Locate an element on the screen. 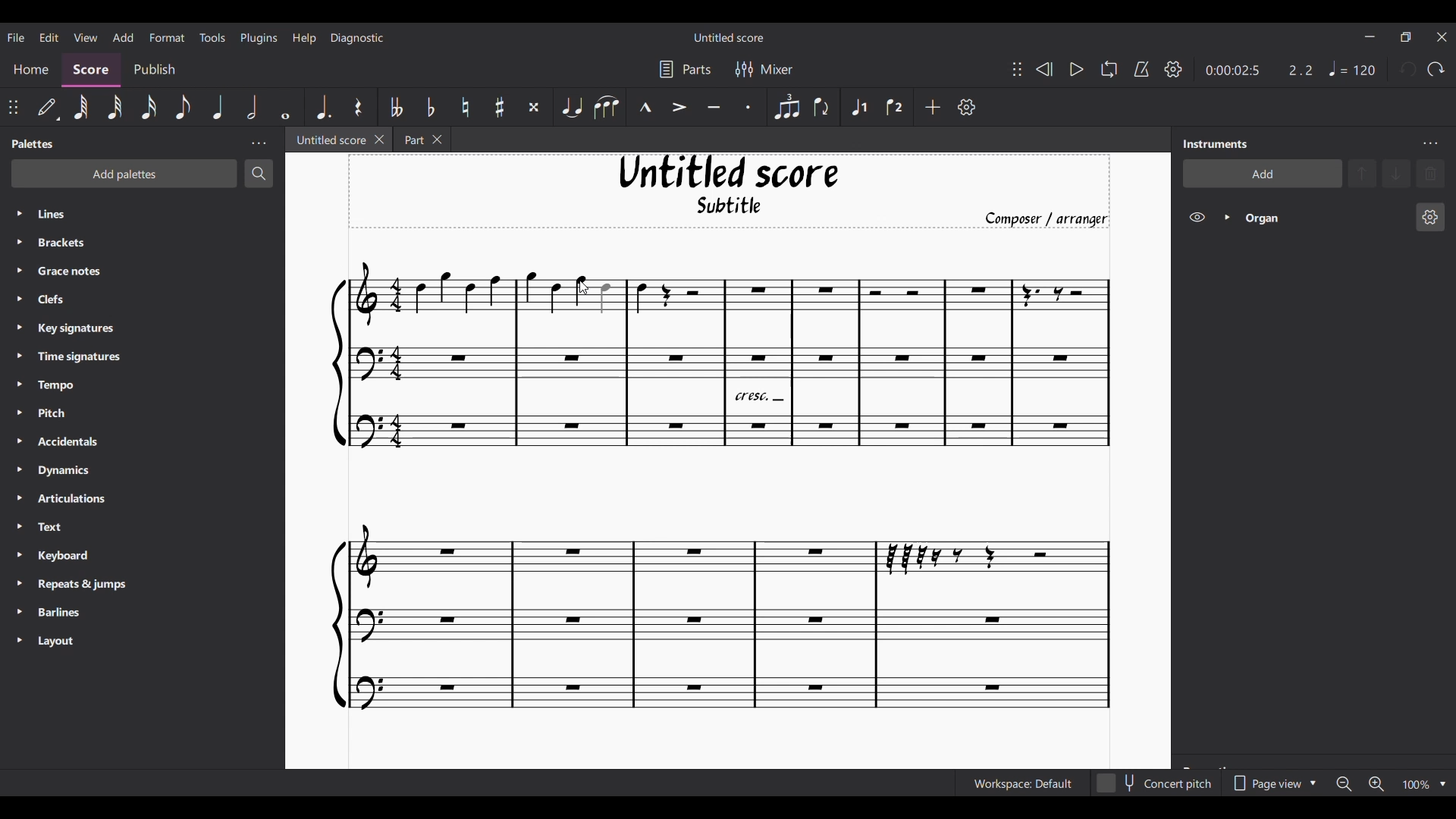 This screenshot has width=1456, height=819. Current tab highlighted is located at coordinates (328, 140).